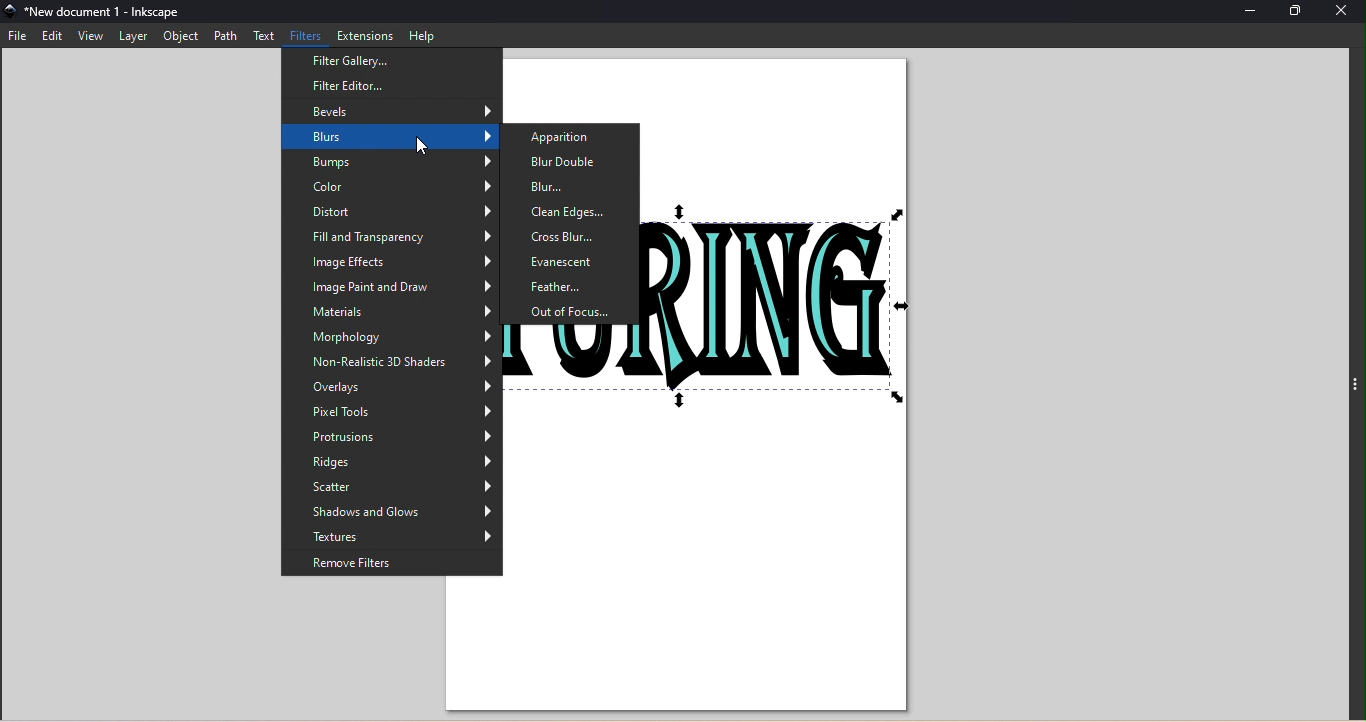 This screenshot has height=722, width=1366. I want to click on Evanescent, so click(572, 261).